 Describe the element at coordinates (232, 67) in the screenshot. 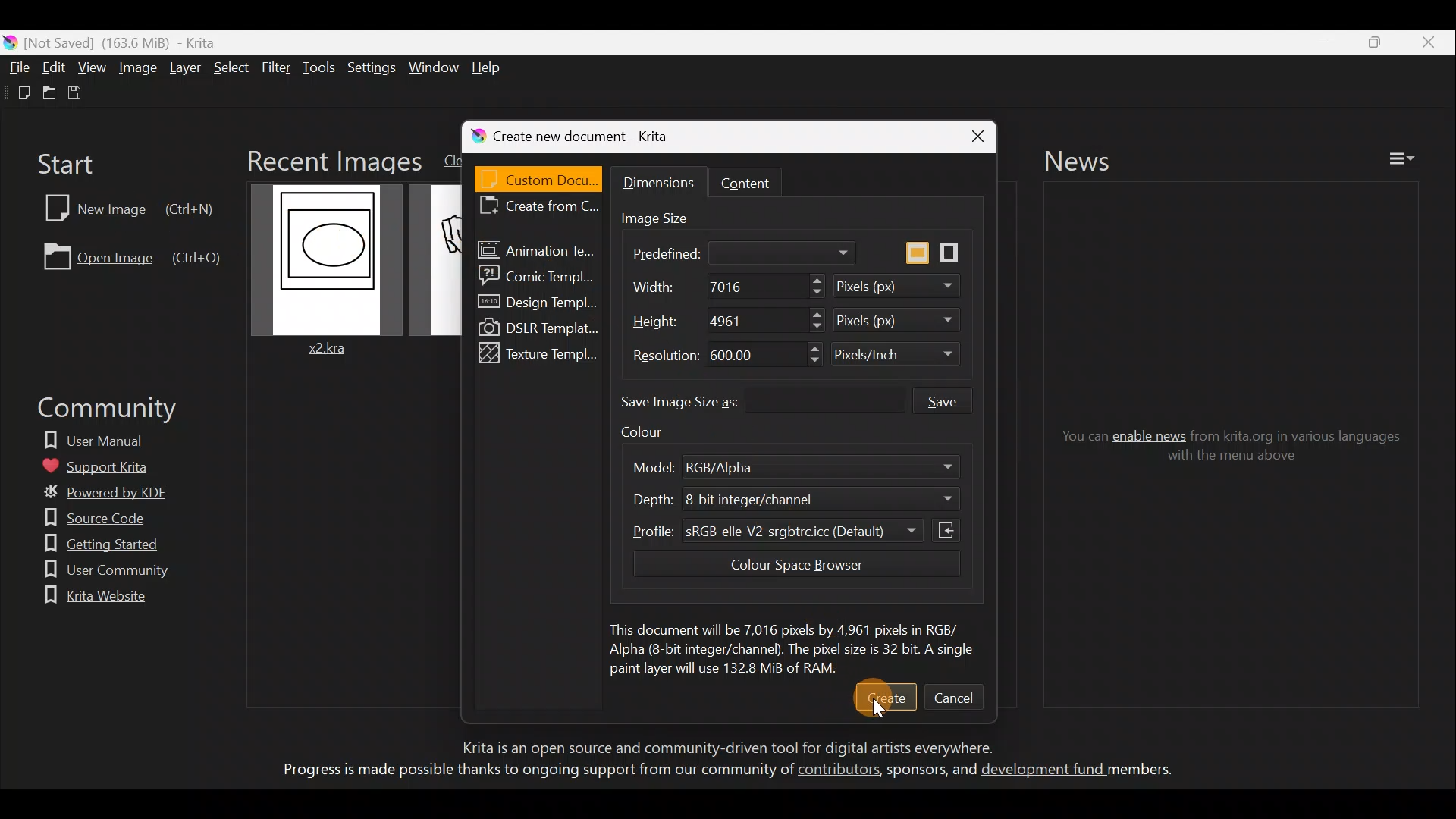

I see `Select` at that location.